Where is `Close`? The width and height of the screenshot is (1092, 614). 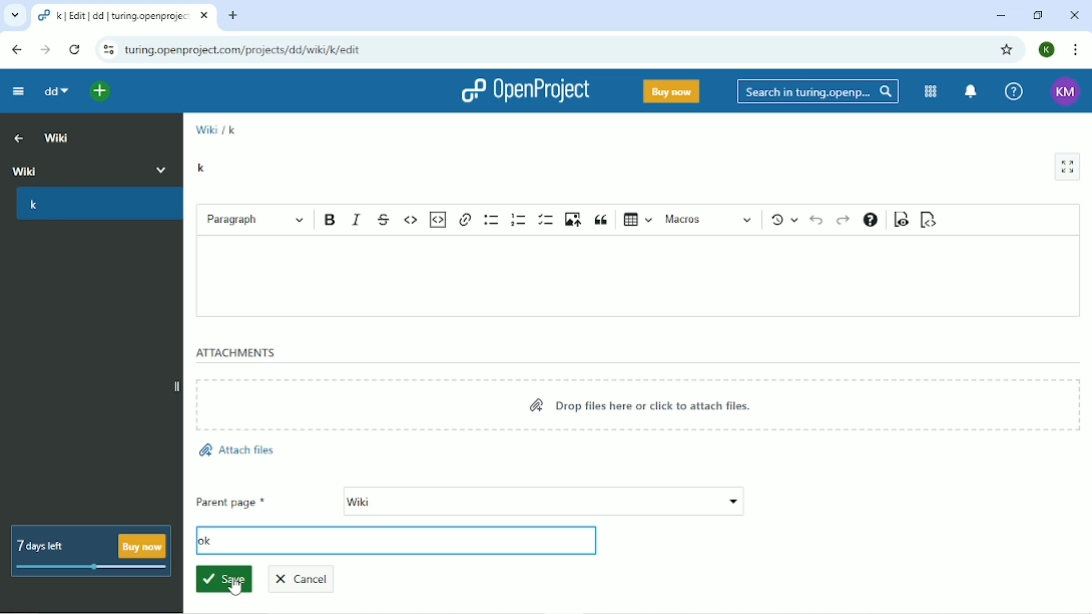 Close is located at coordinates (1074, 15).